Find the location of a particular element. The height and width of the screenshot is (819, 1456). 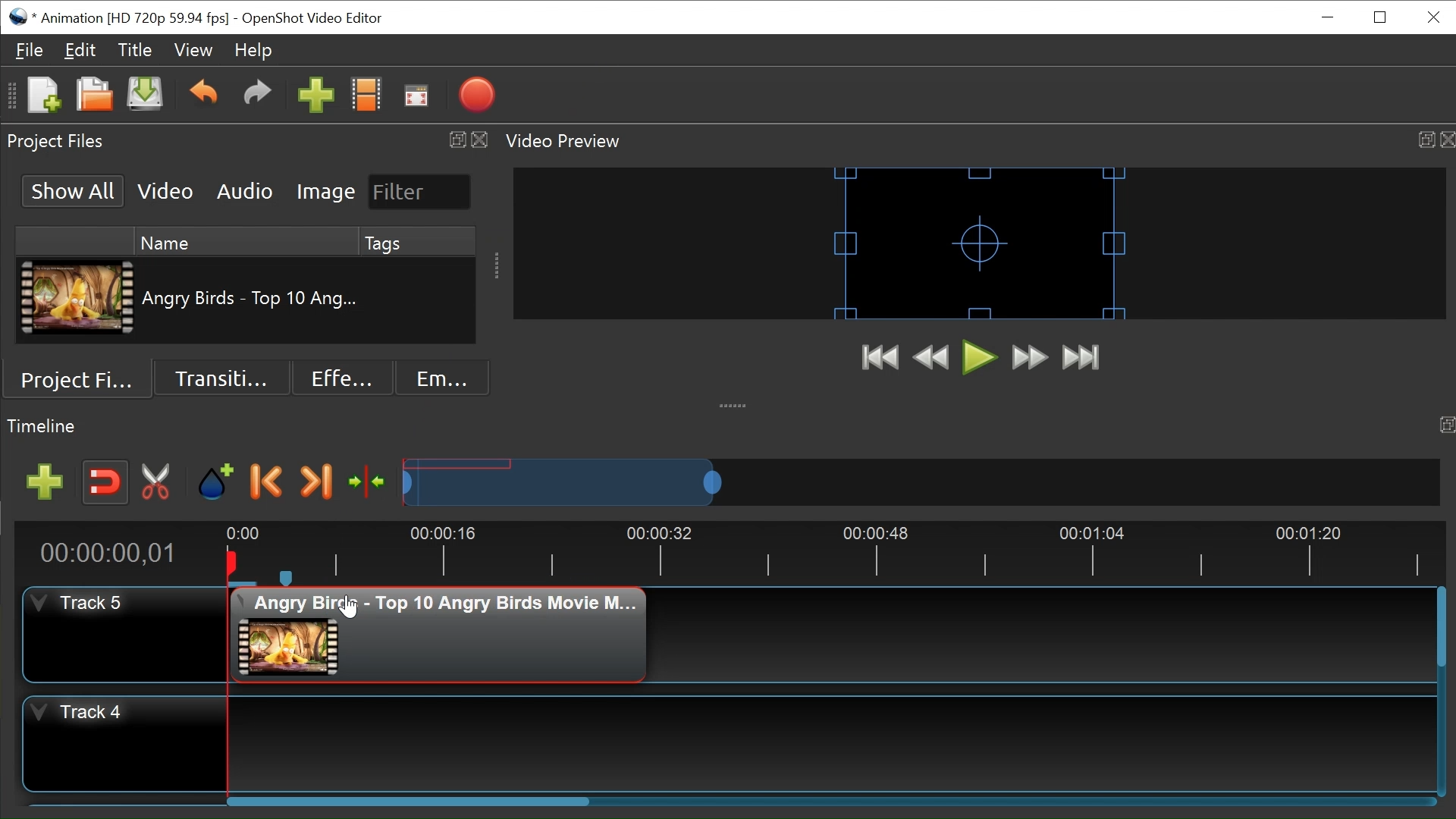

Horizontal Scroll bar is located at coordinates (407, 802).